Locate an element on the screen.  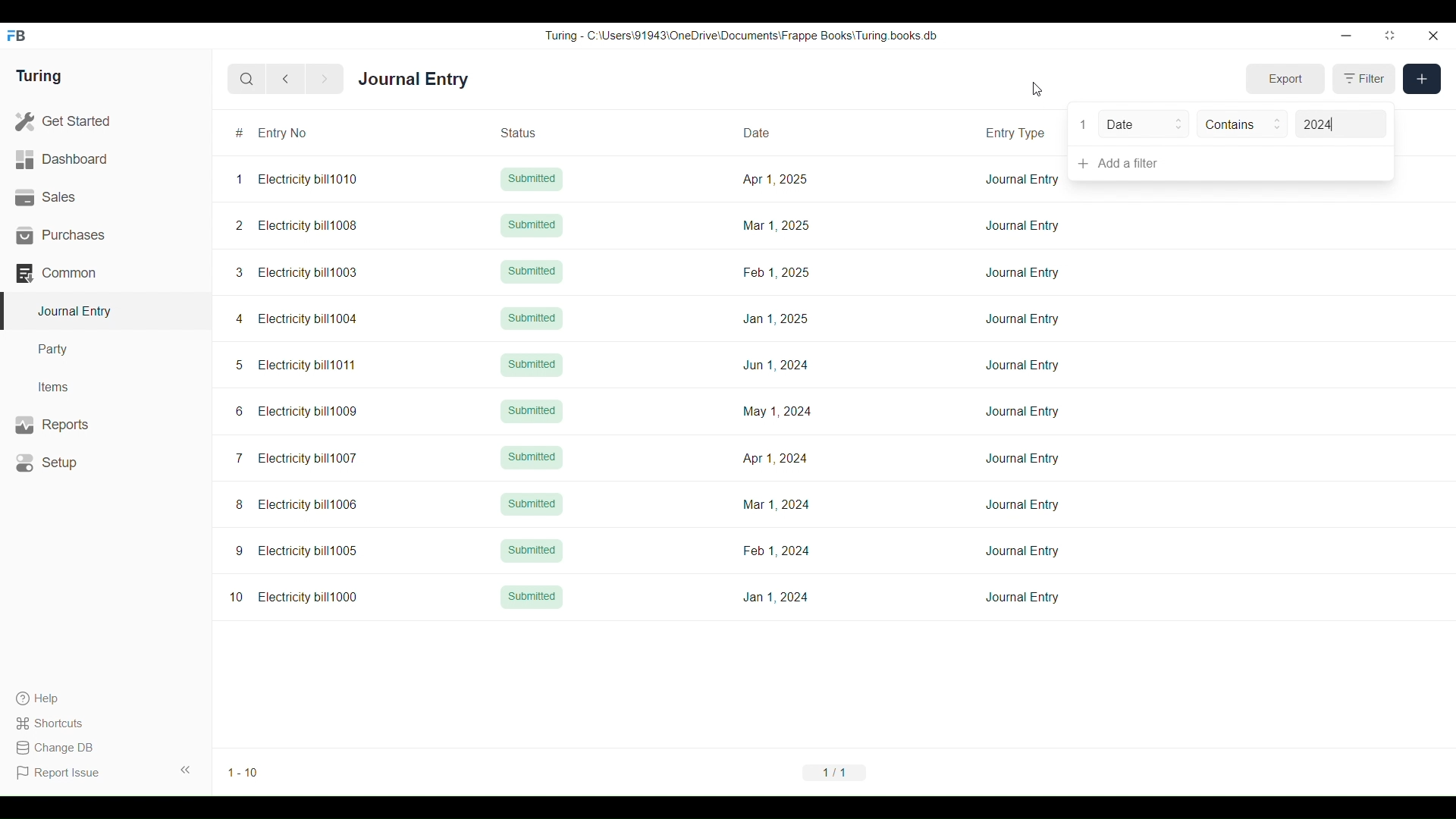
6 Electricity bill1009 is located at coordinates (297, 411).